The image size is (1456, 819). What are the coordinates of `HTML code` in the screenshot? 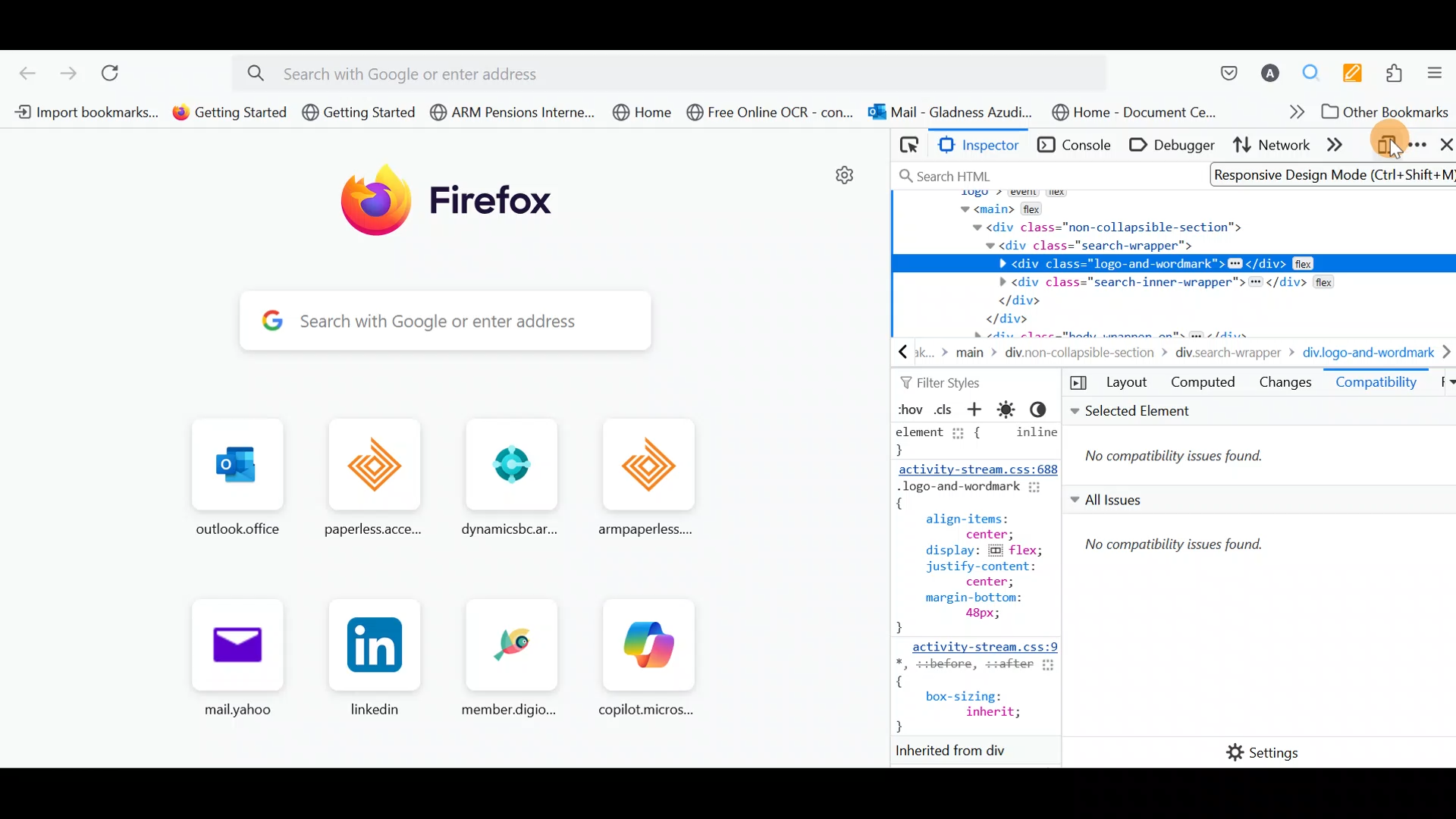 It's located at (979, 592).